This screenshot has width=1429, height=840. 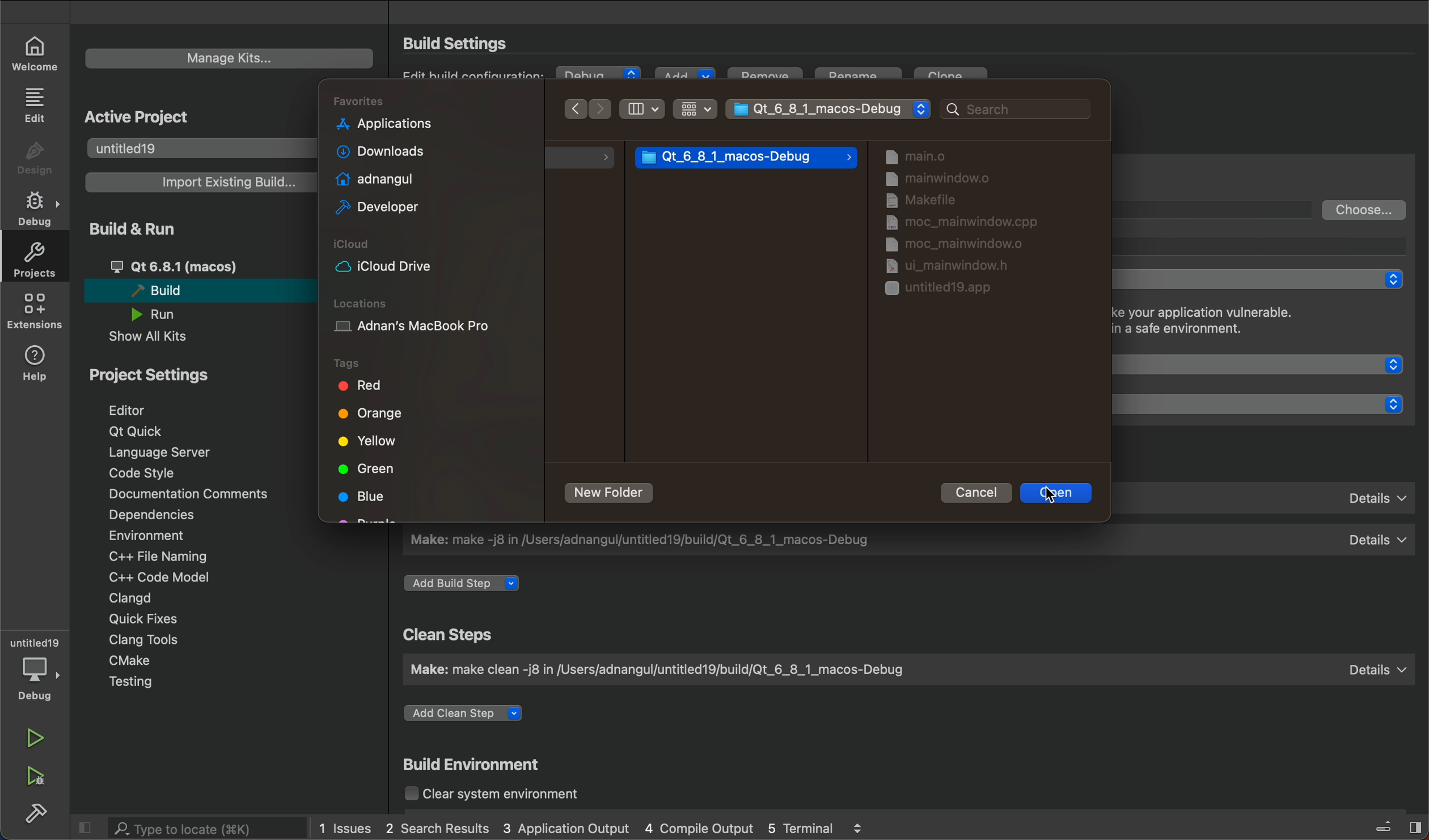 I want to click on add, so click(x=683, y=75).